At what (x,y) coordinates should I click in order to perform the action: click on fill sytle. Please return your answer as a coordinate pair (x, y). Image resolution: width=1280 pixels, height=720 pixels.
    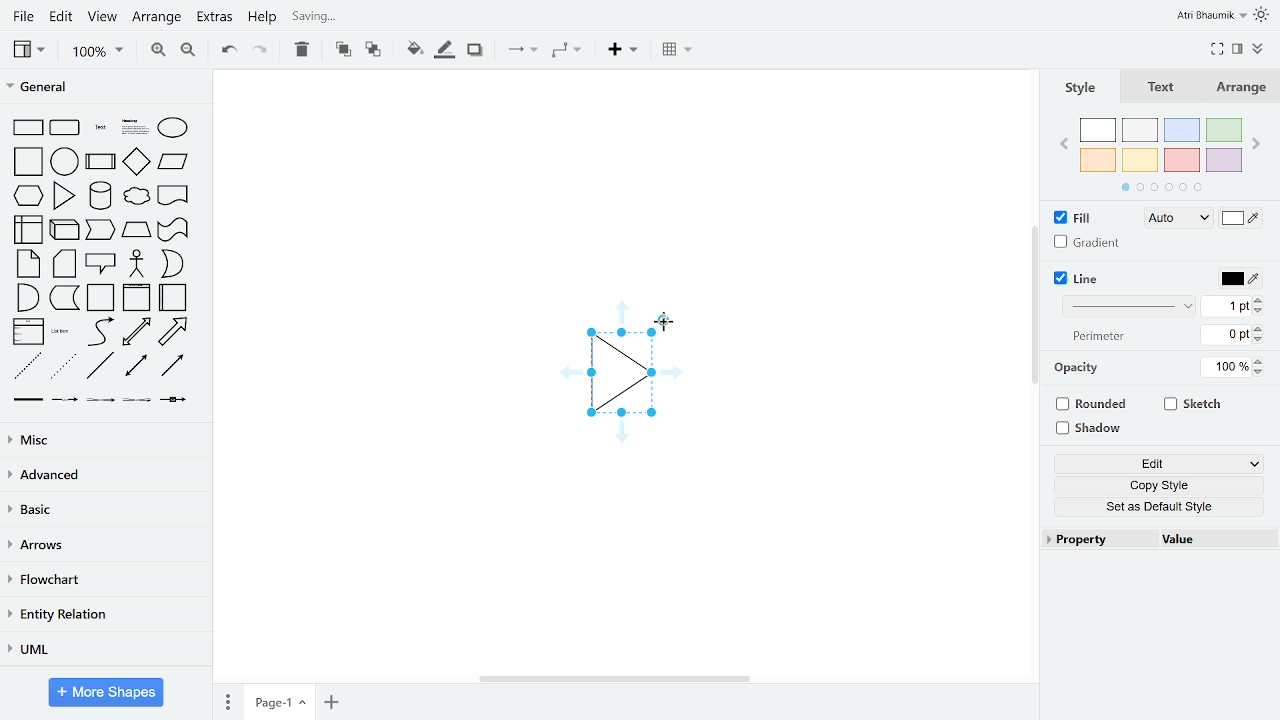
    Looking at the image, I should click on (1176, 219).